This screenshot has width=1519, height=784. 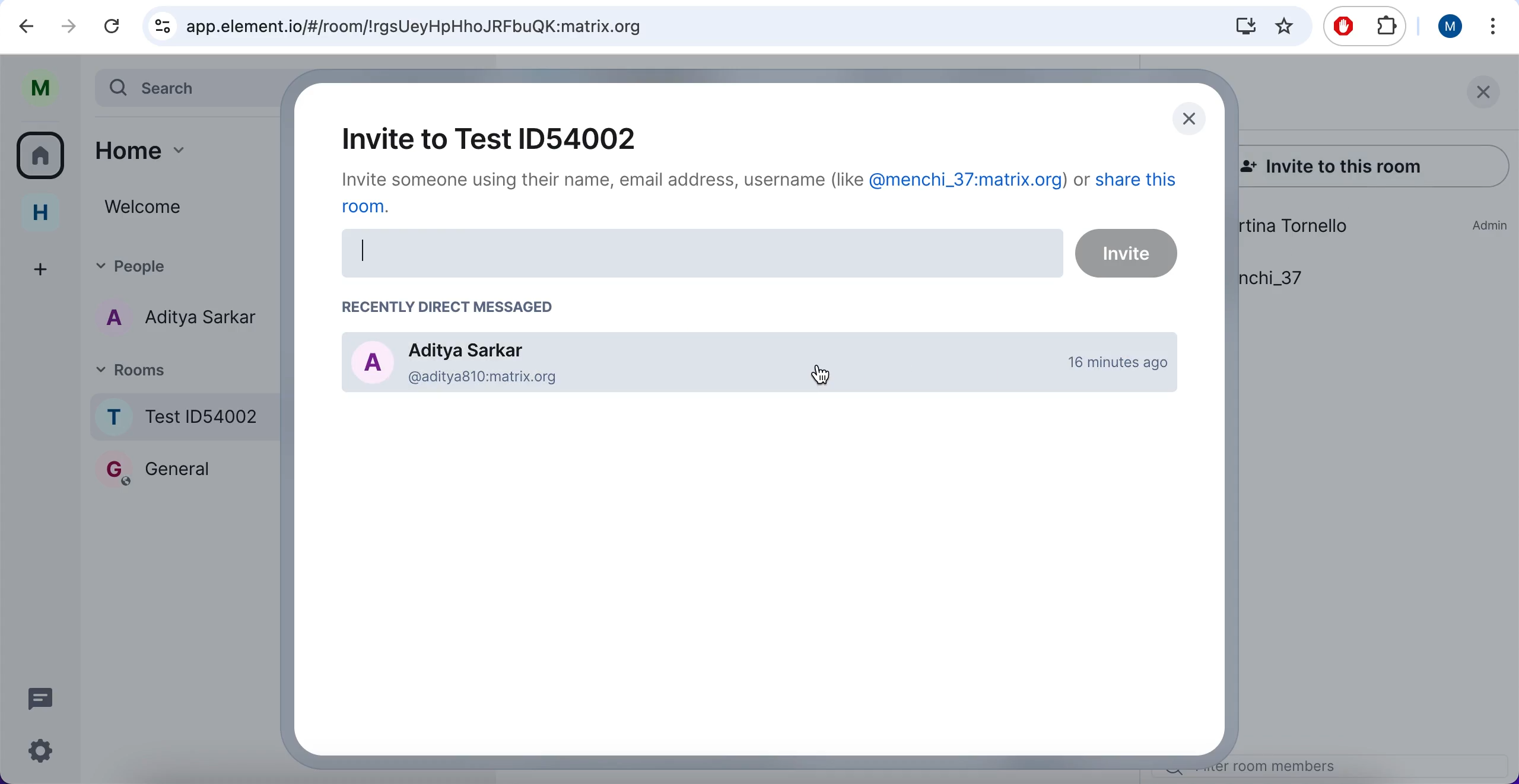 What do you see at coordinates (450, 307) in the screenshot?
I see `recently direct messaged` at bounding box center [450, 307].